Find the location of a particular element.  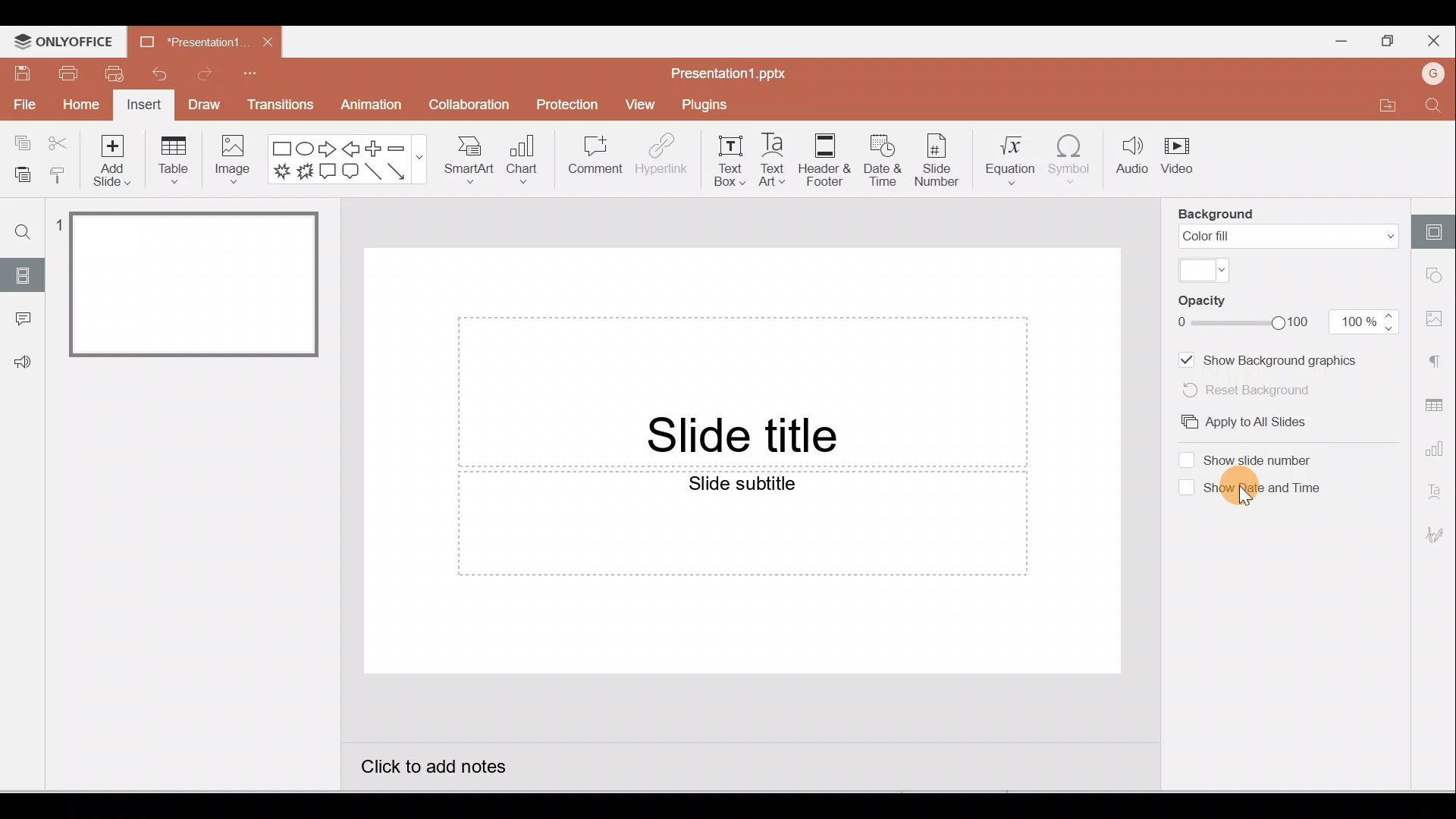

Quick print is located at coordinates (115, 73).